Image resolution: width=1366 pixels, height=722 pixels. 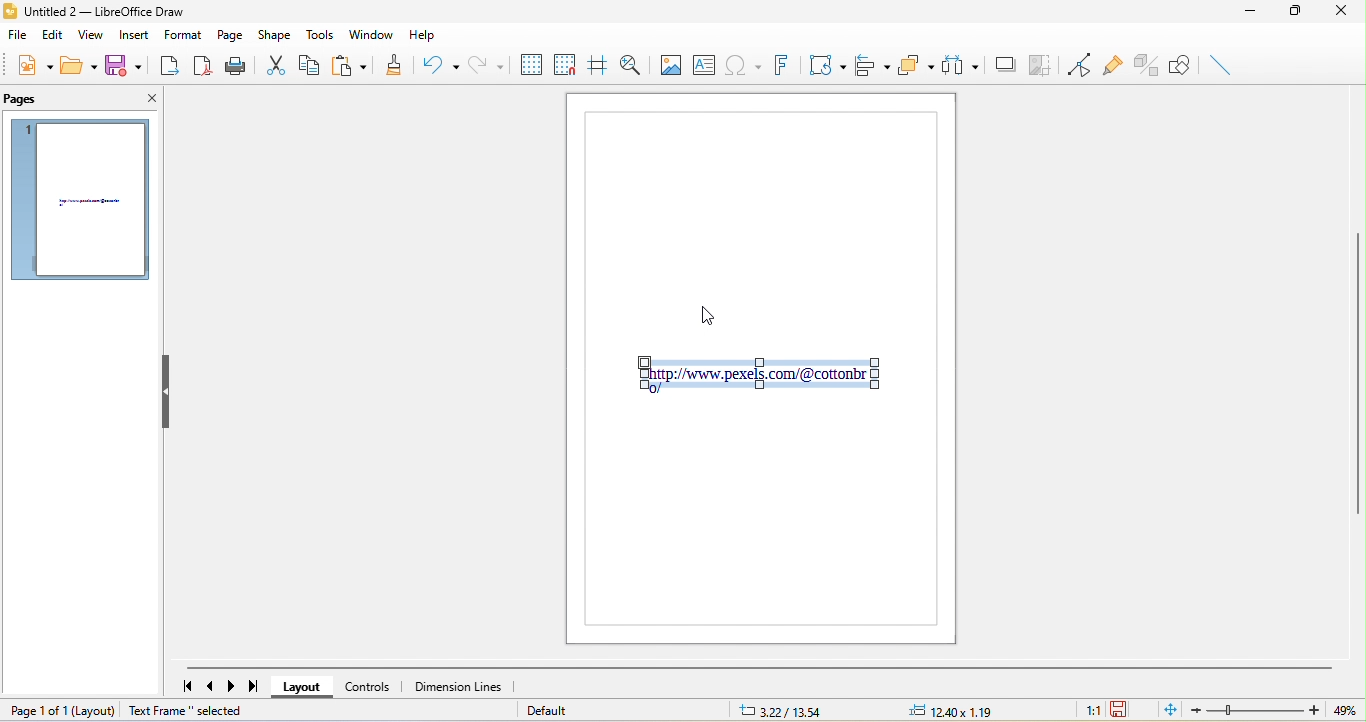 What do you see at coordinates (368, 36) in the screenshot?
I see `window` at bounding box center [368, 36].